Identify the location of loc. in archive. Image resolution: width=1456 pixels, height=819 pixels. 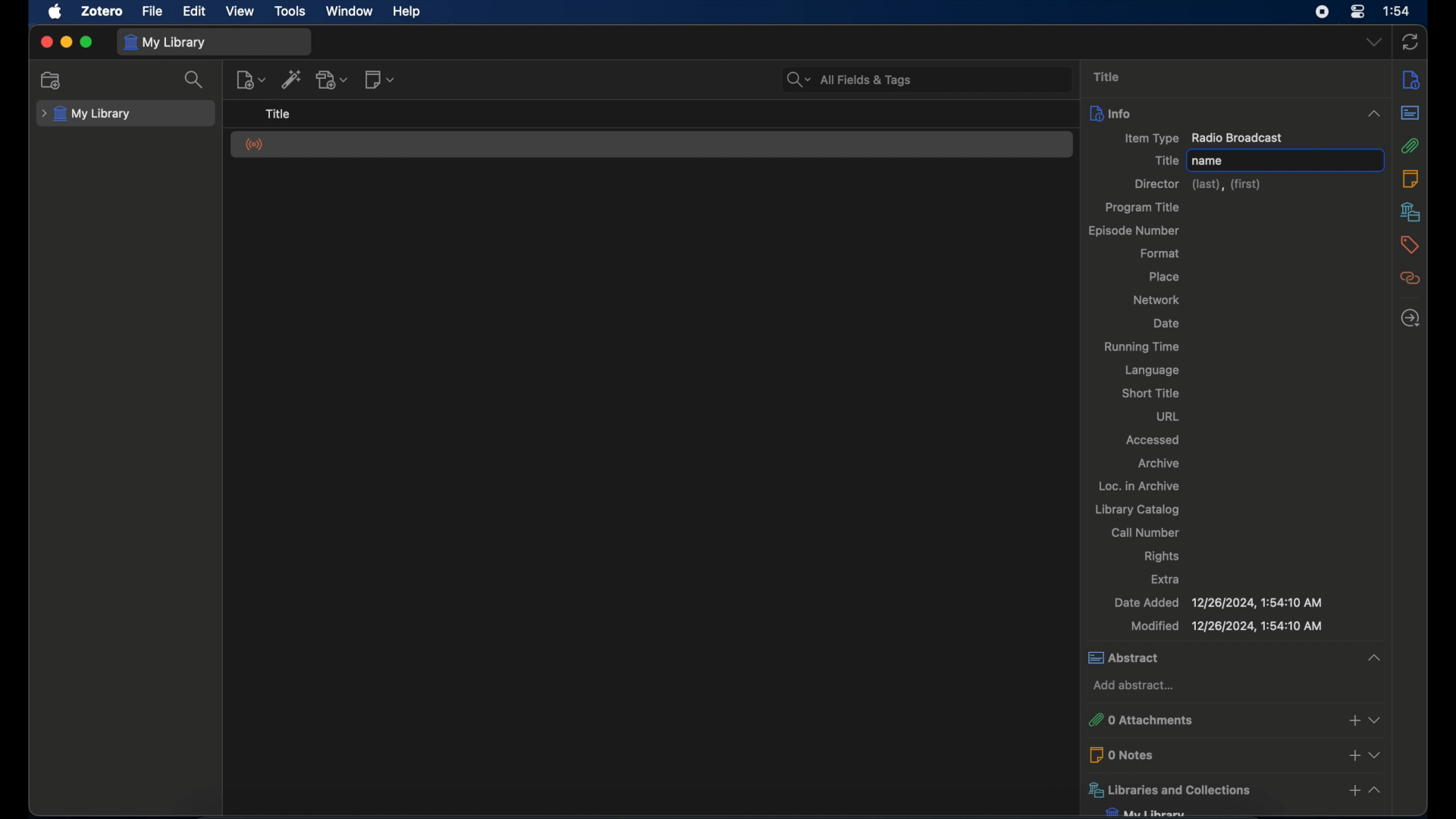
(1141, 485).